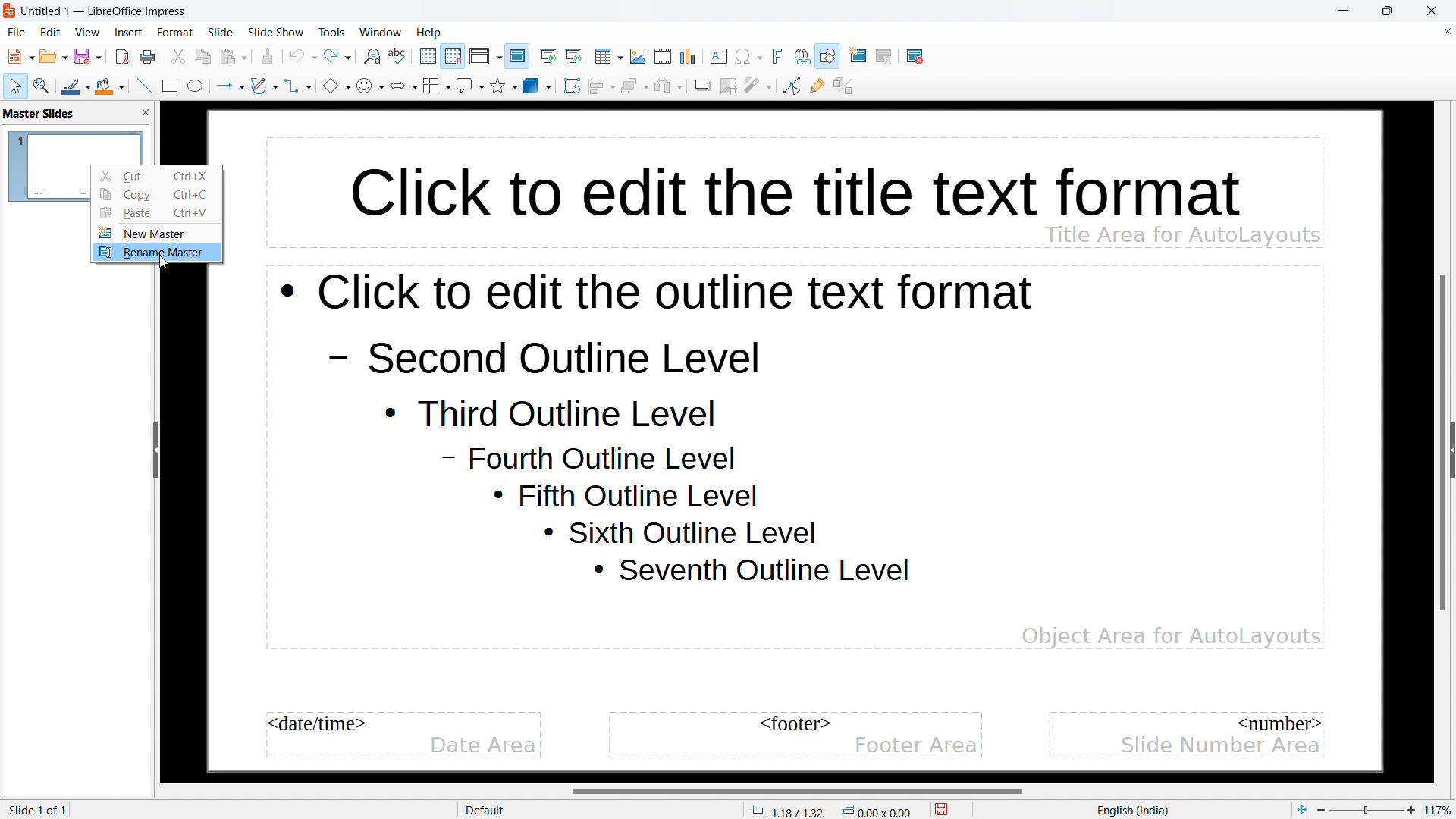 This screenshot has width=1456, height=819. Describe the element at coordinates (484, 746) in the screenshot. I see `date area` at that location.